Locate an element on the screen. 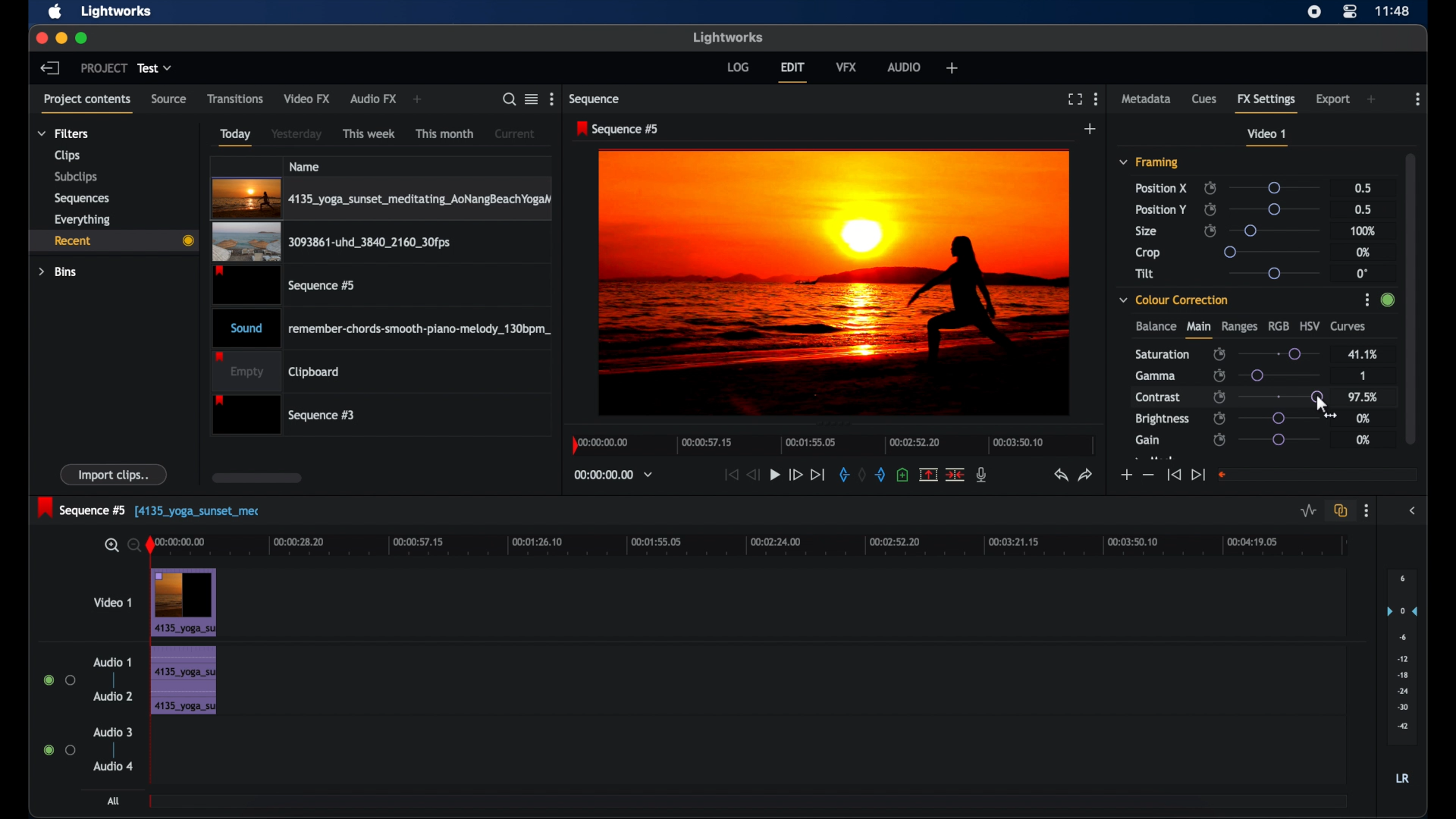  recent is located at coordinates (113, 240).